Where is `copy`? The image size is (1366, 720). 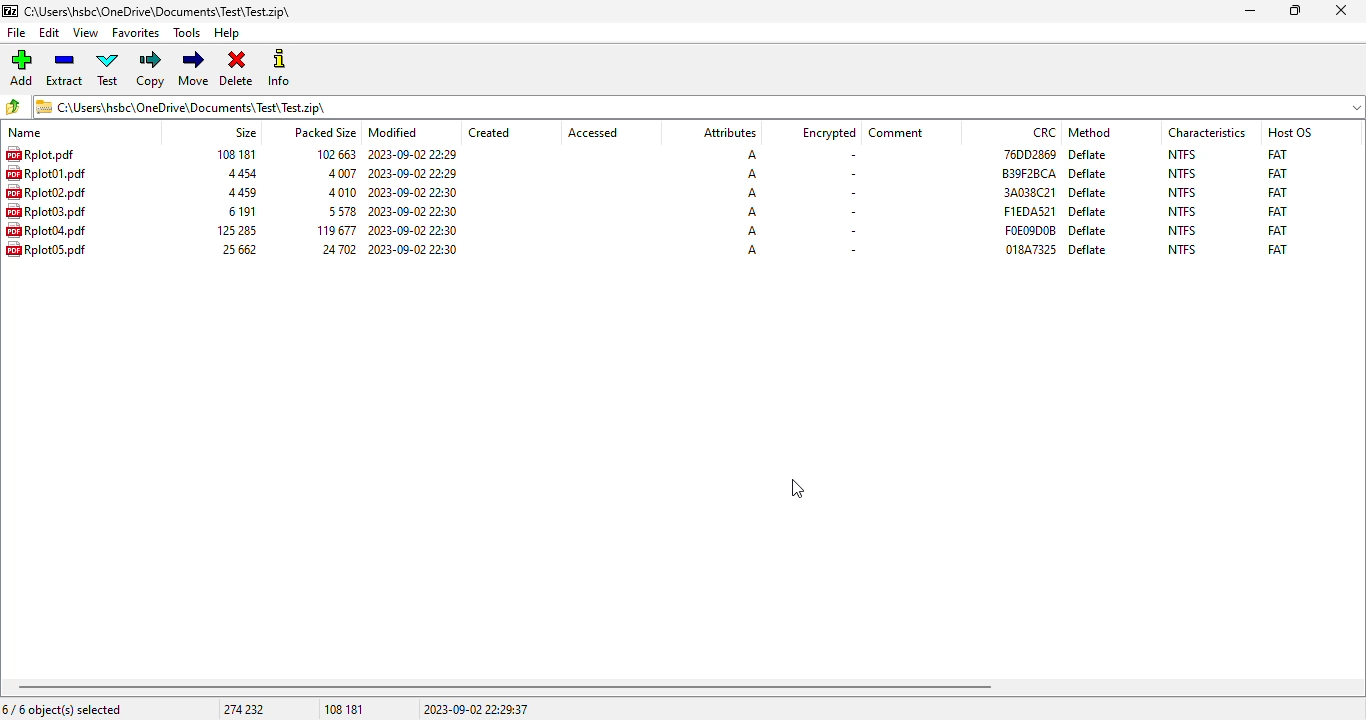
copy is located at coordinates (152, 69).